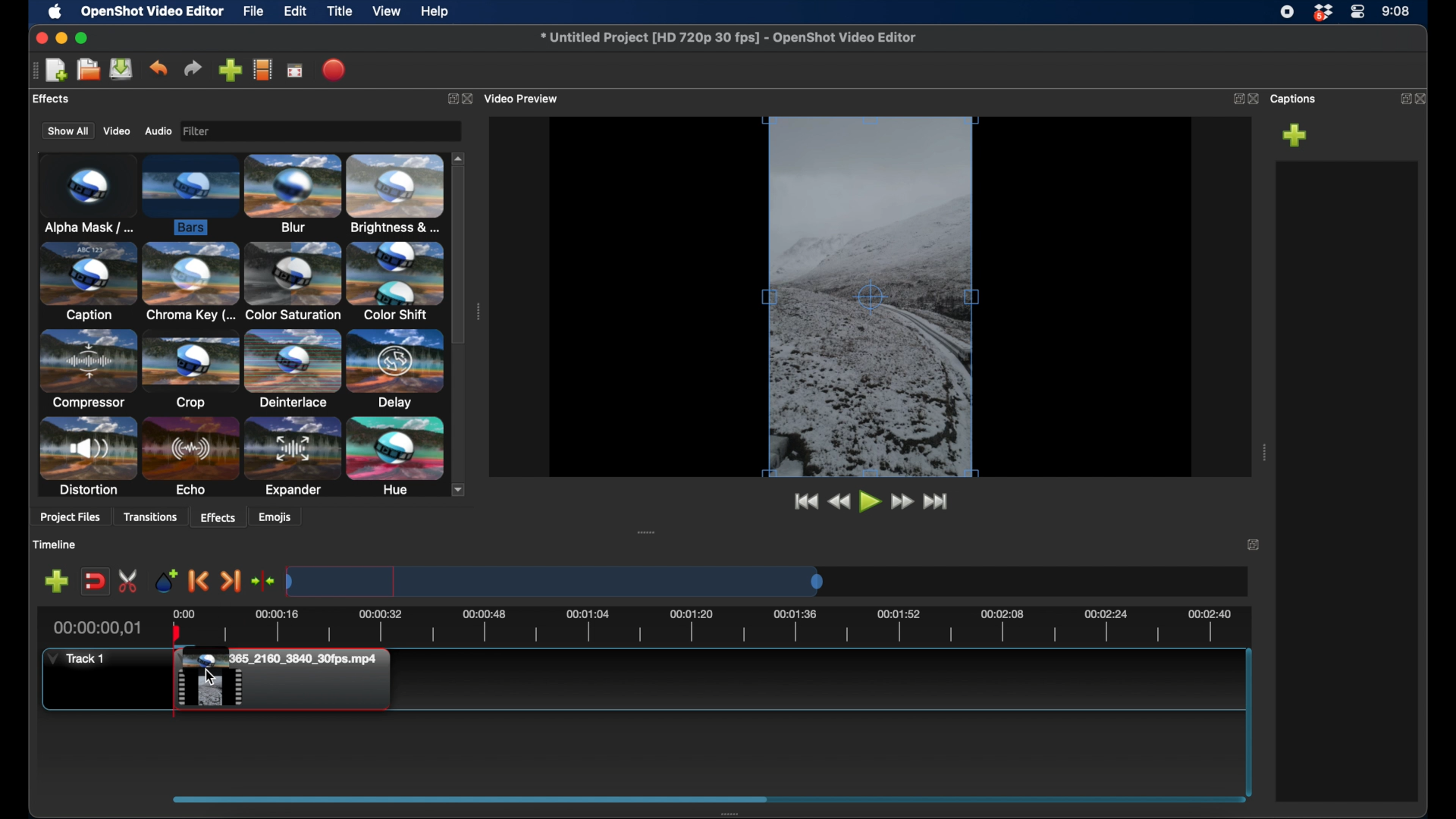  I want to click on color shift, so click(397, 281).